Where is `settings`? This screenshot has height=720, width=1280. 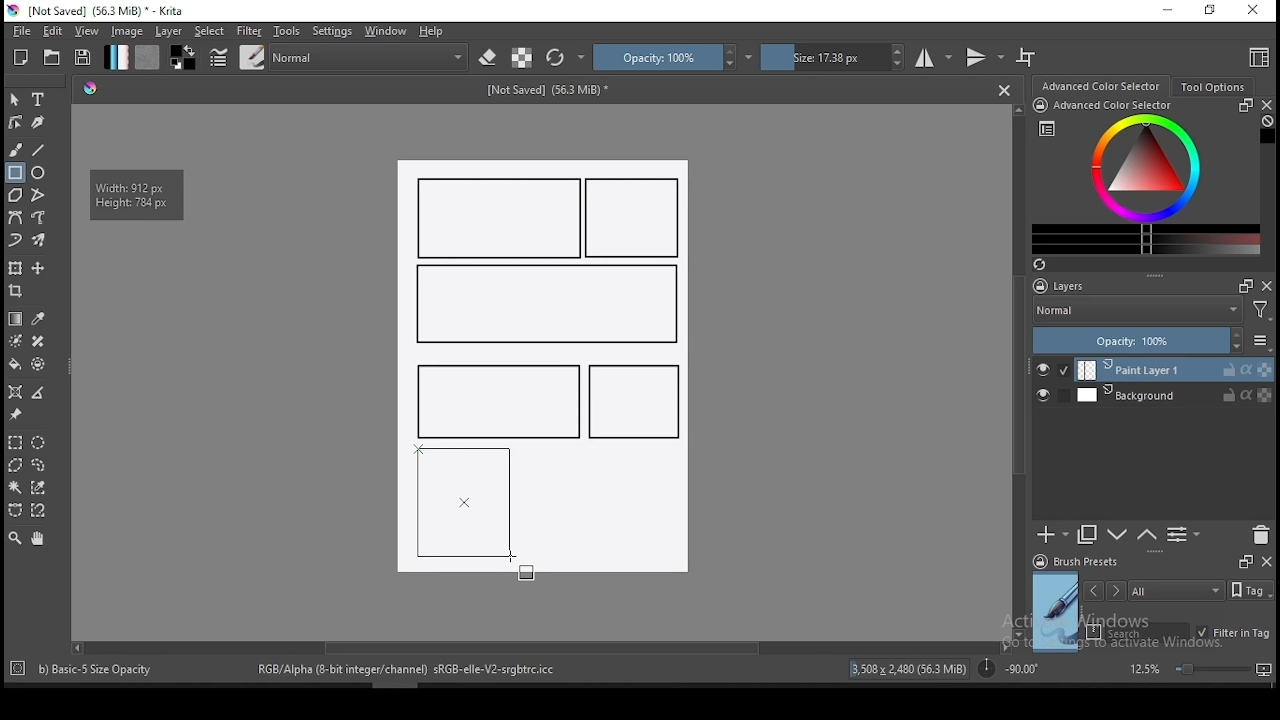 settings is located at coordinates (332, 31).